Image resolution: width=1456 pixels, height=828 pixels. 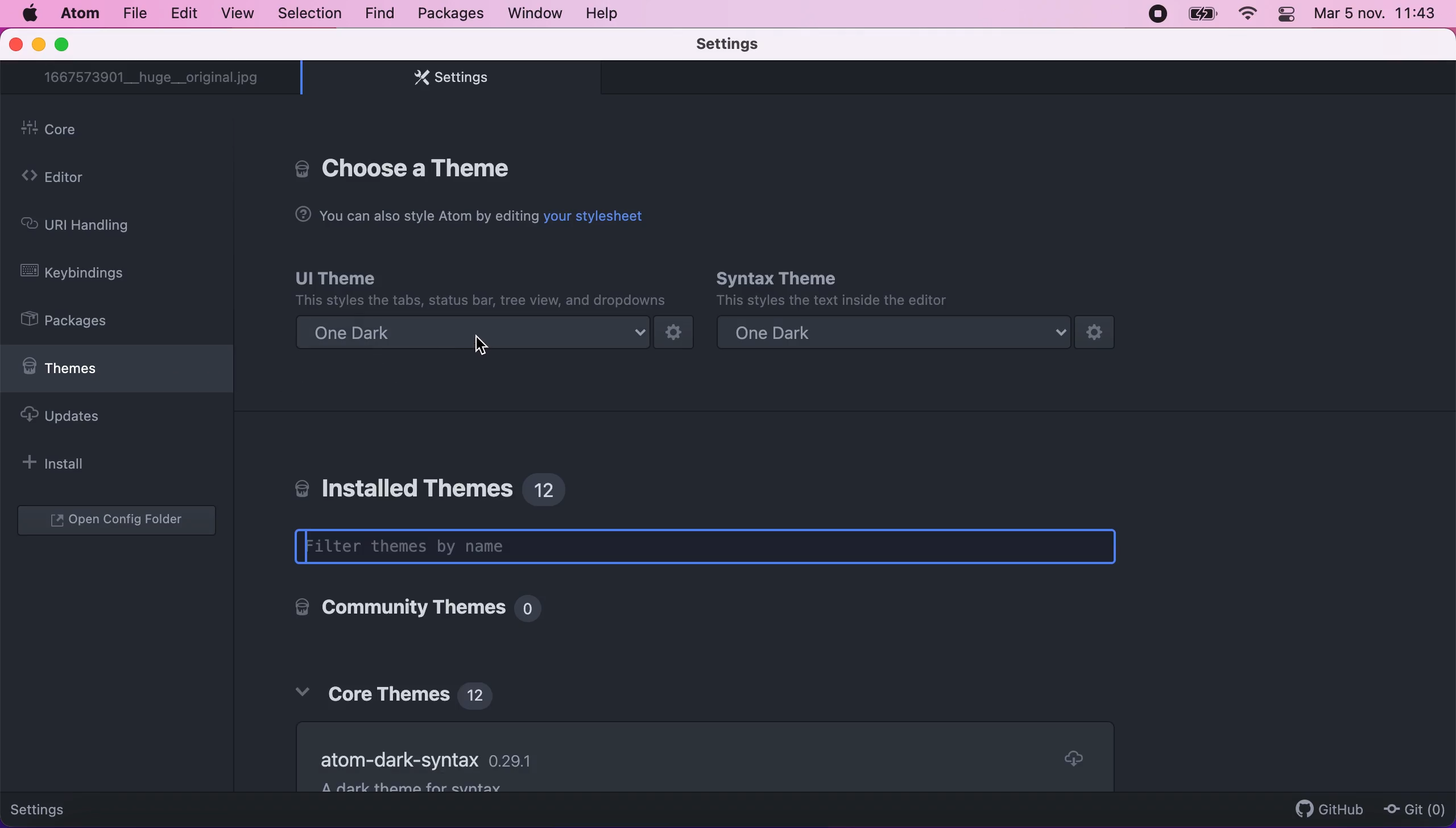 I want to click on maximize, so click(x=73, y=45).